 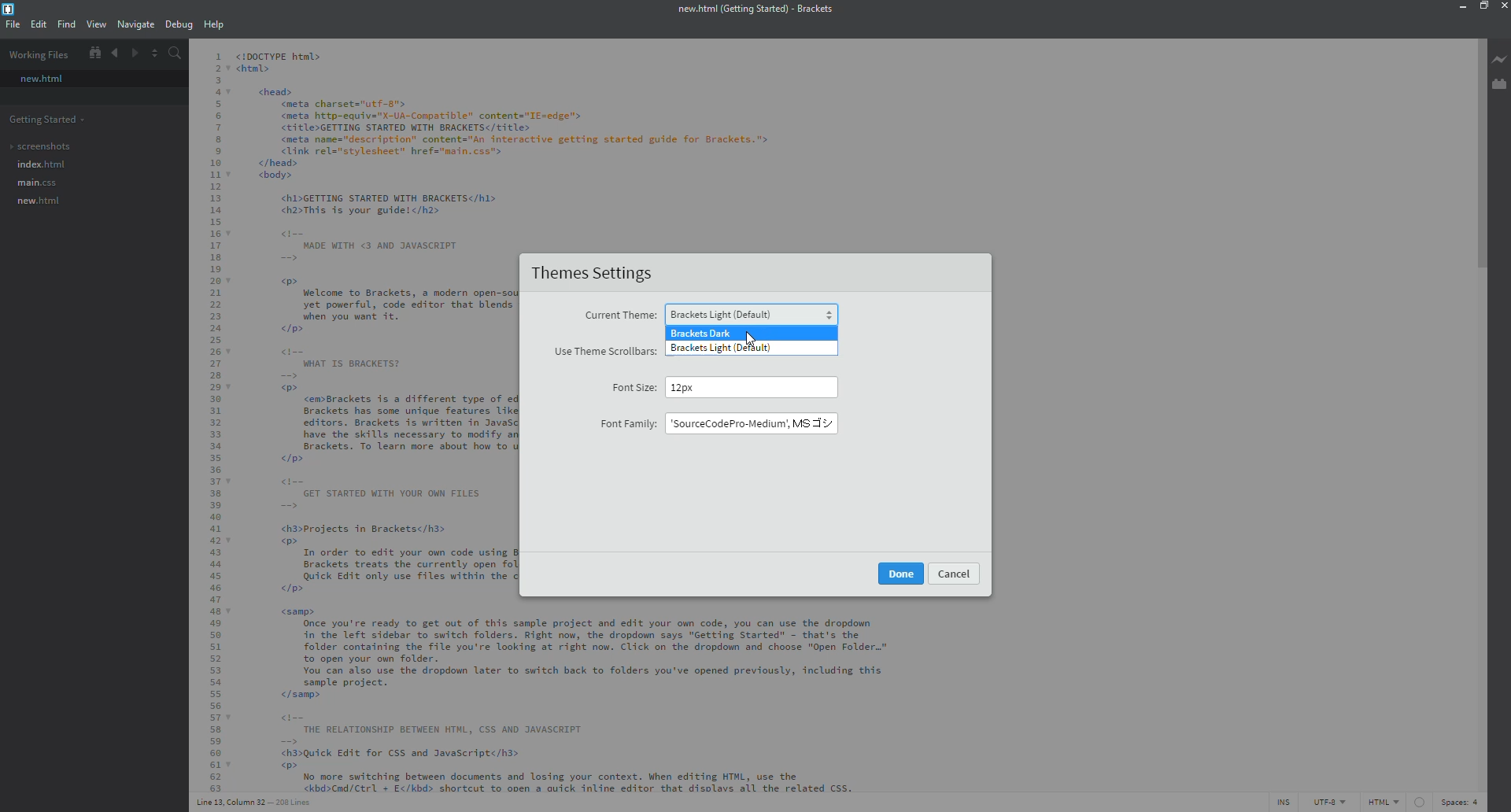 What do you see at coordinates (177, 25) in the screenshot?
I see `debug` at bounding box center [177, 25].